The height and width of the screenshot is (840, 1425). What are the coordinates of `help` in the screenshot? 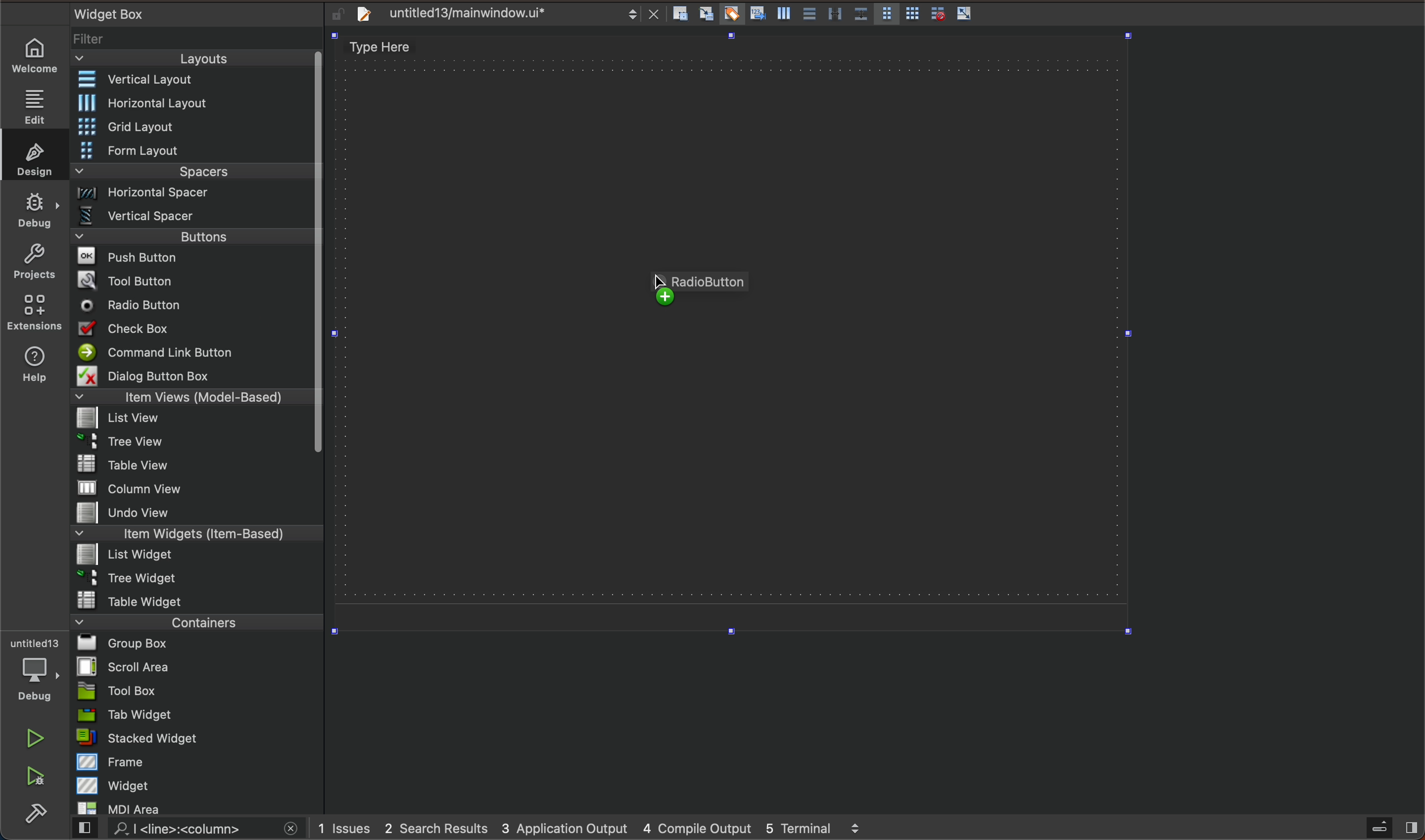 It's located at (32, 367).